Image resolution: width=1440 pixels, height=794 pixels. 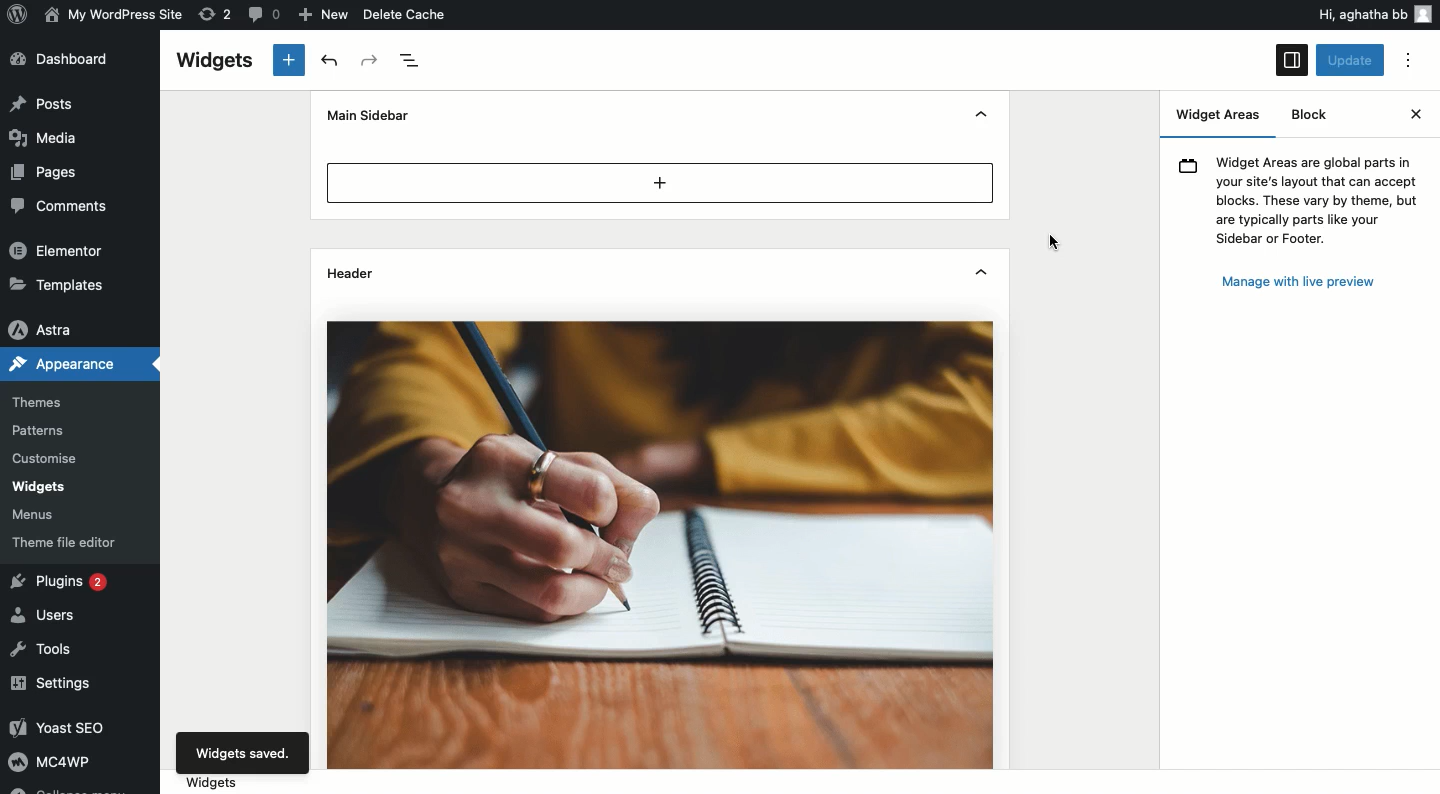 I want to click on Widgets, so click(x=38, y=487).